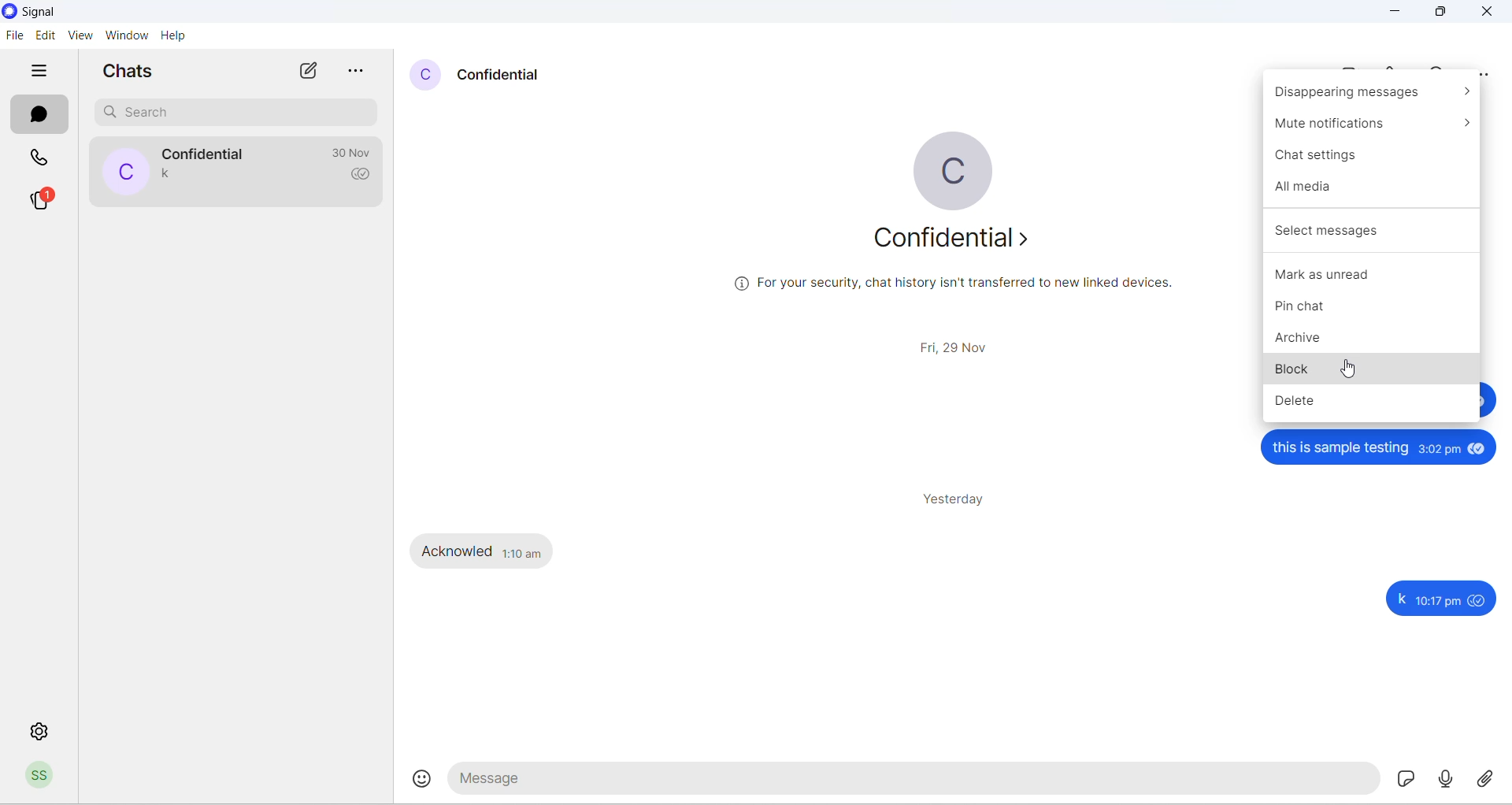 The width and height of the screenshot is (1512, 805). I want to click on profile picture, so click(124, 170).